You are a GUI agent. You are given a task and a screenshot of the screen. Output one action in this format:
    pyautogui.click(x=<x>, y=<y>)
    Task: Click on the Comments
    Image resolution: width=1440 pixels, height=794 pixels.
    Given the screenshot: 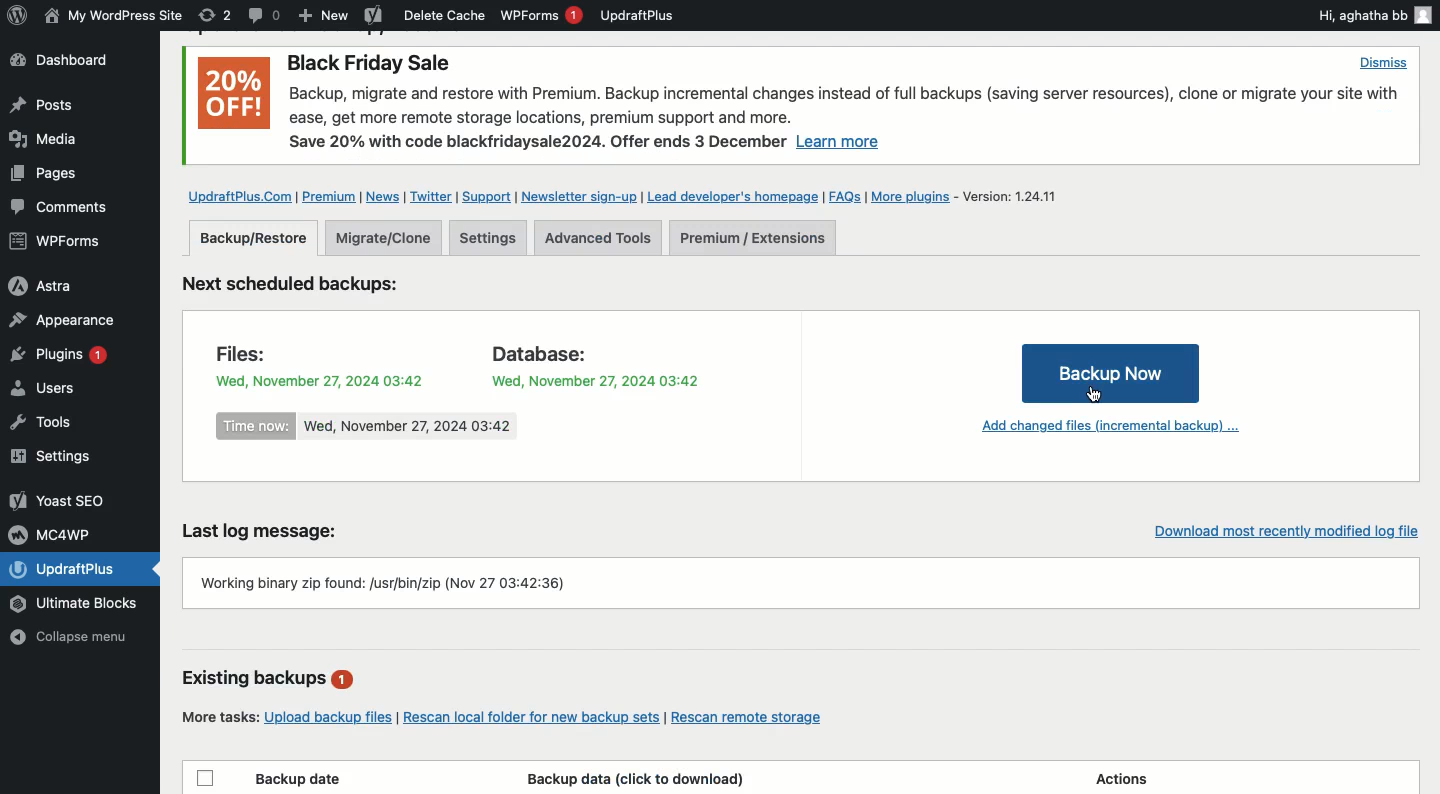 What is the action you would take?
    pyautogui.click(x=62, y=208)
    